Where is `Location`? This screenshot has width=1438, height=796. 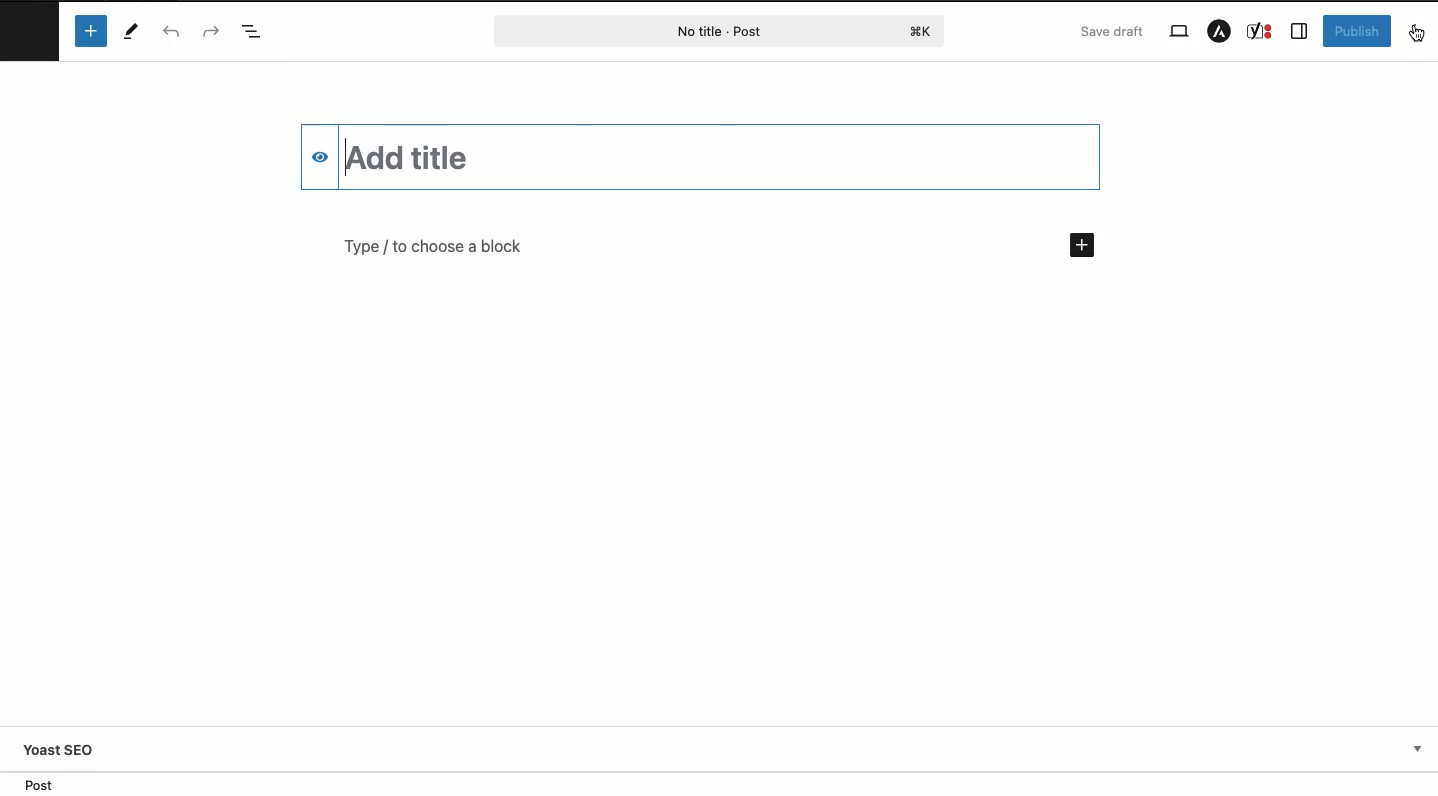 Location is located at coordinates (719, 786).